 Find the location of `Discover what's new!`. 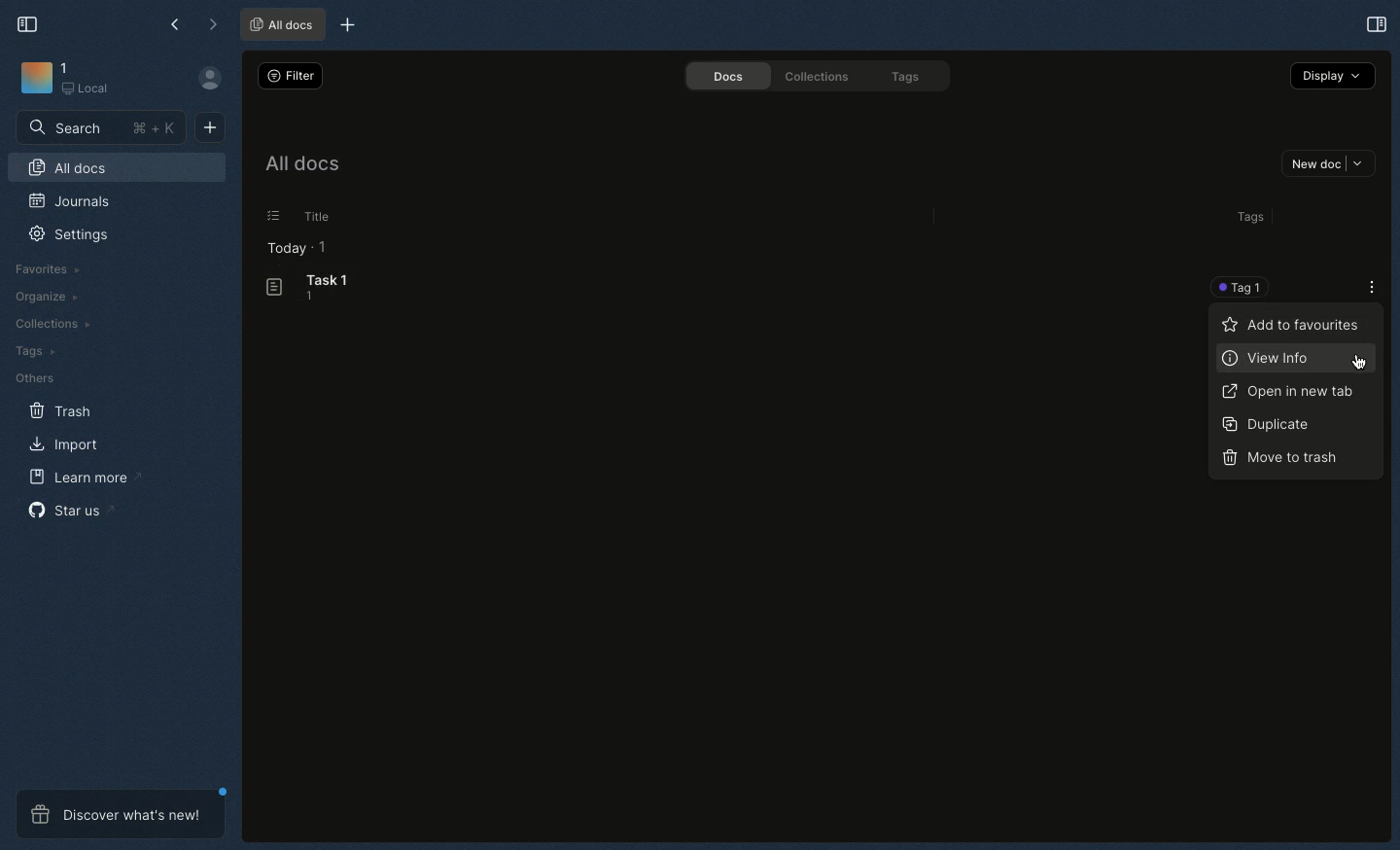

Discover what's new! is located at coordinates (122, 814).